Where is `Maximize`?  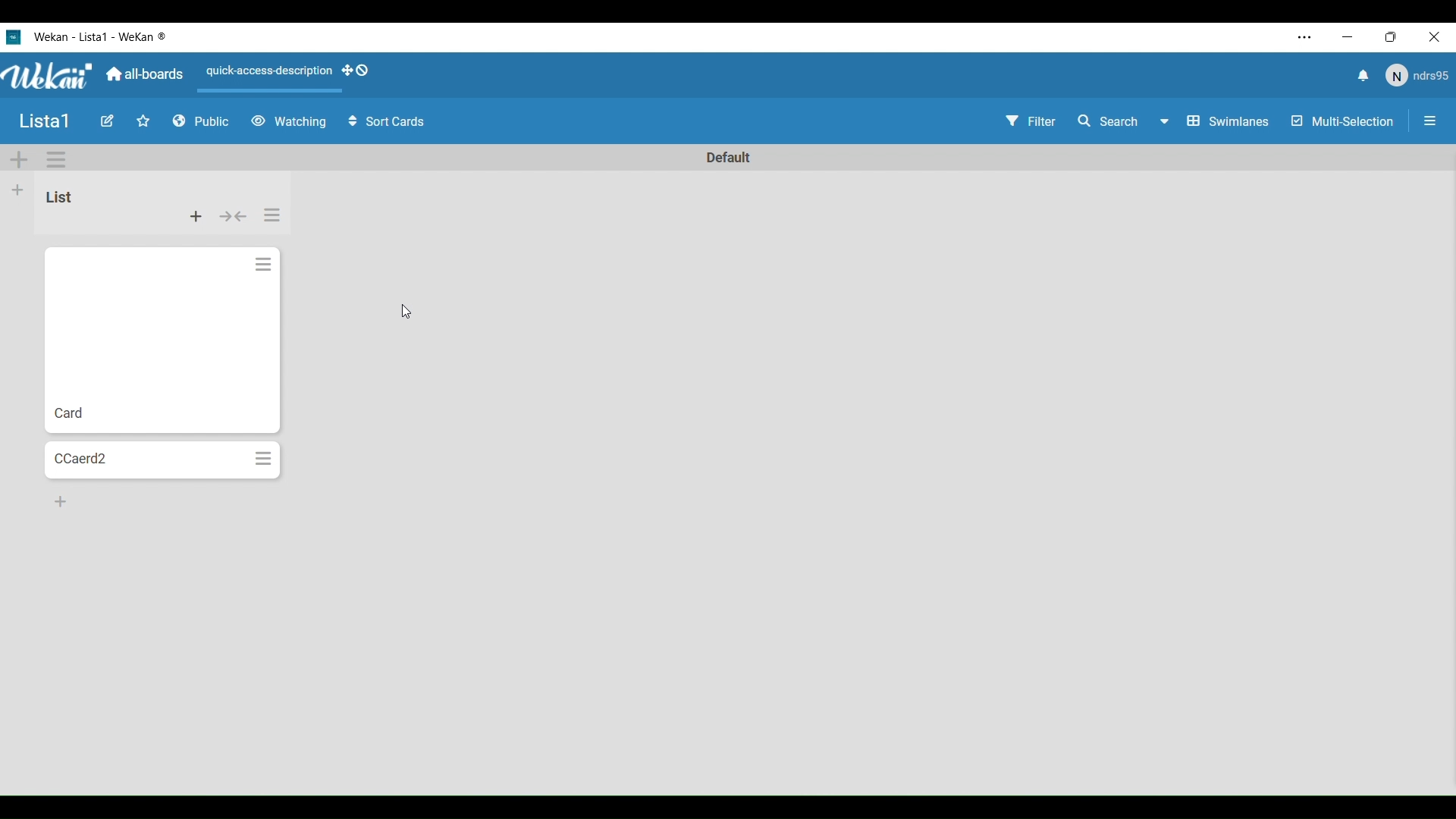
Maximize is located at coordinates (1395, 38).